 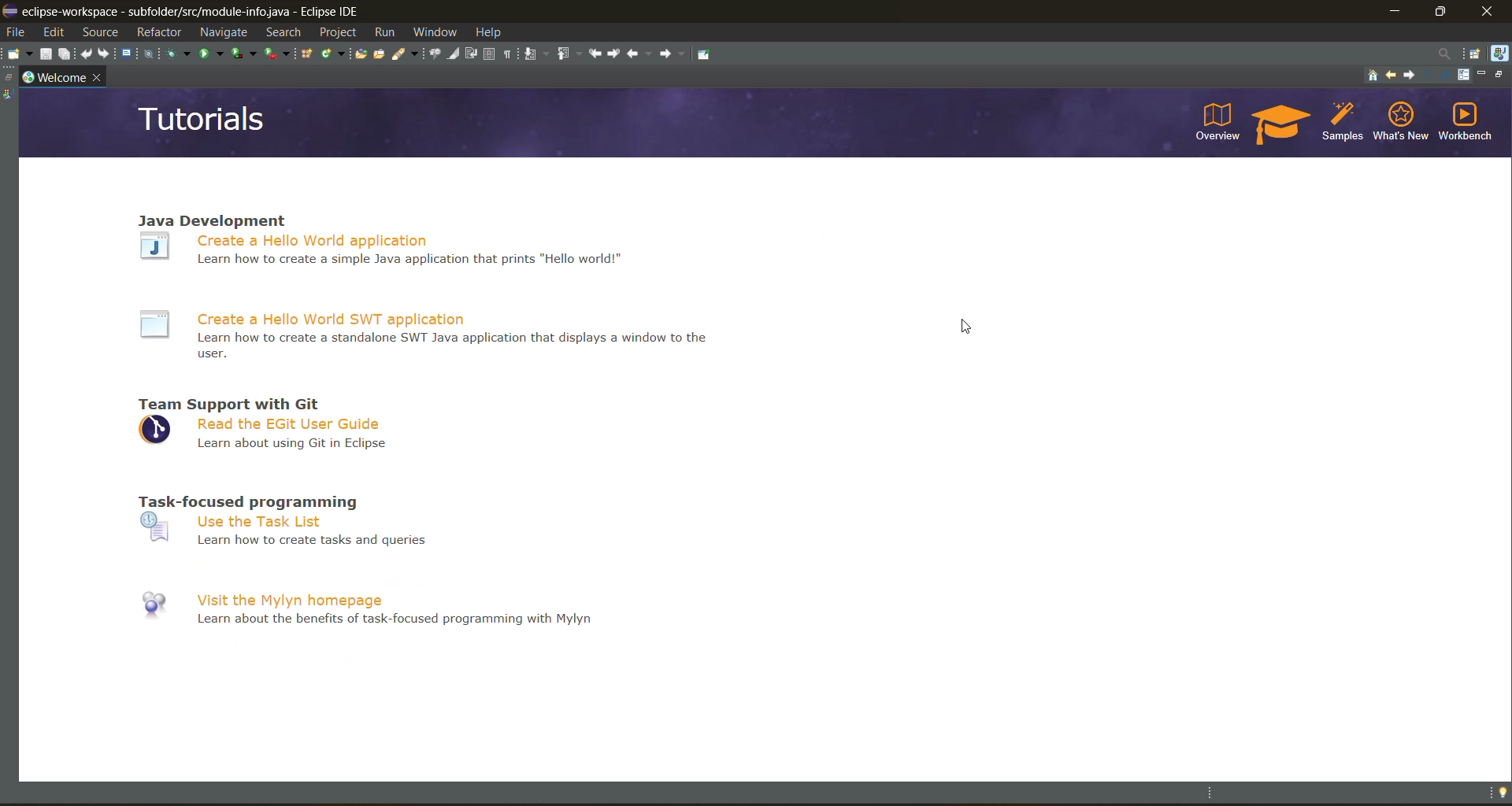 What do you see at coordinates (9, 80) in the screenshot?
I see `restore` at bounding box center [9, 80].